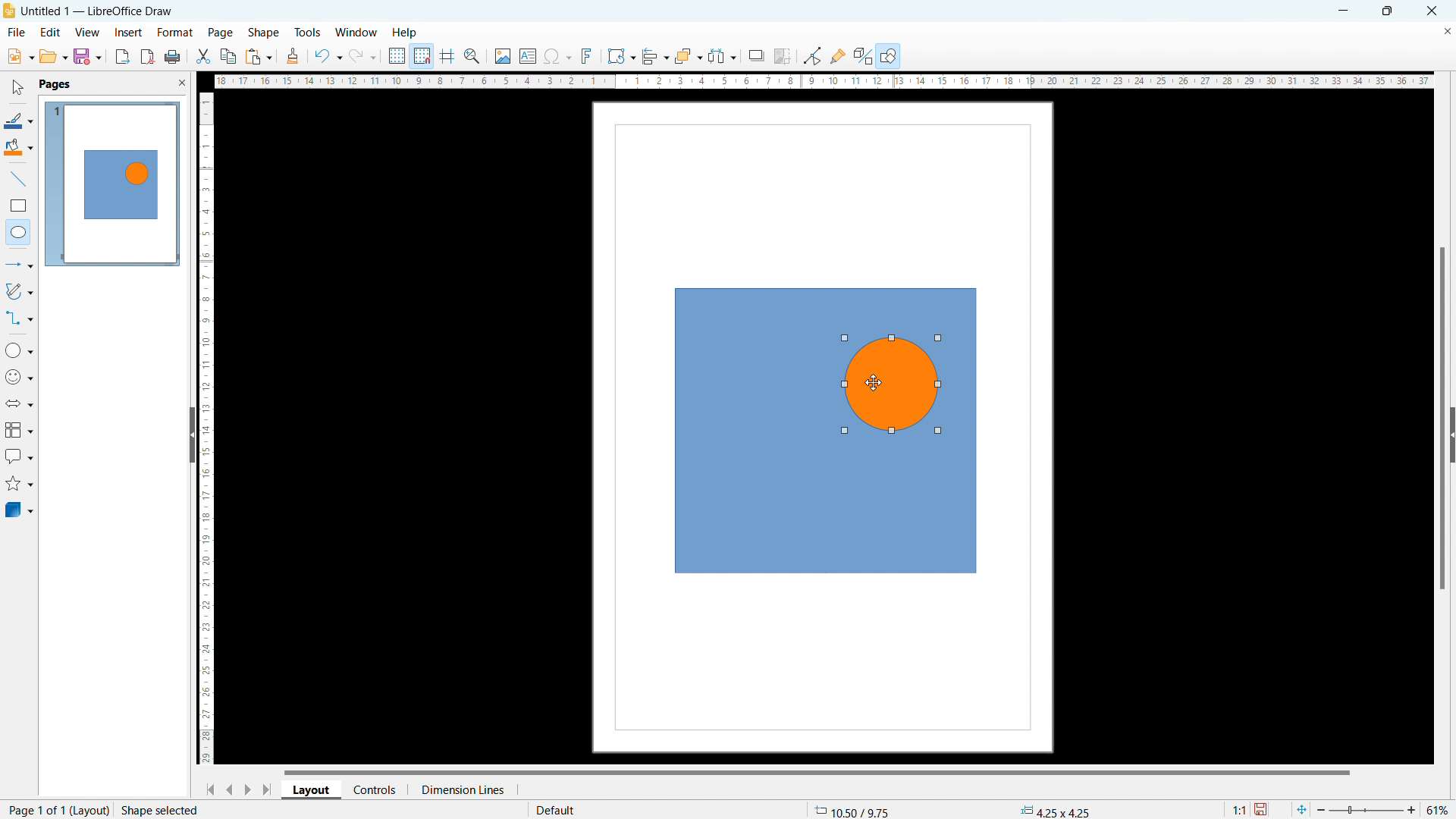  Describe the element at coordinates (221, 32) in the screenshot. I see `page` at that location.